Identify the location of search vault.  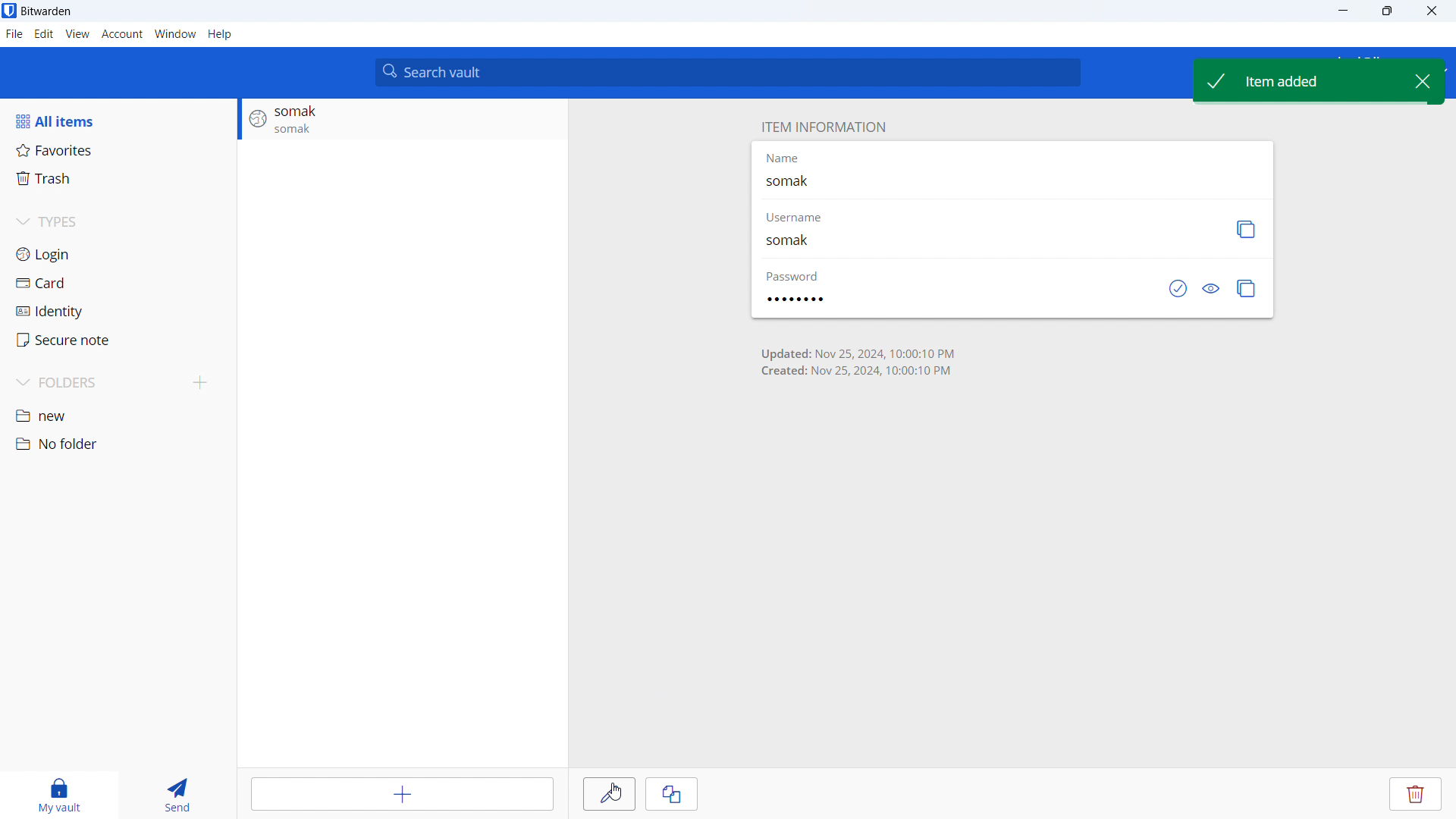
(727, 72).